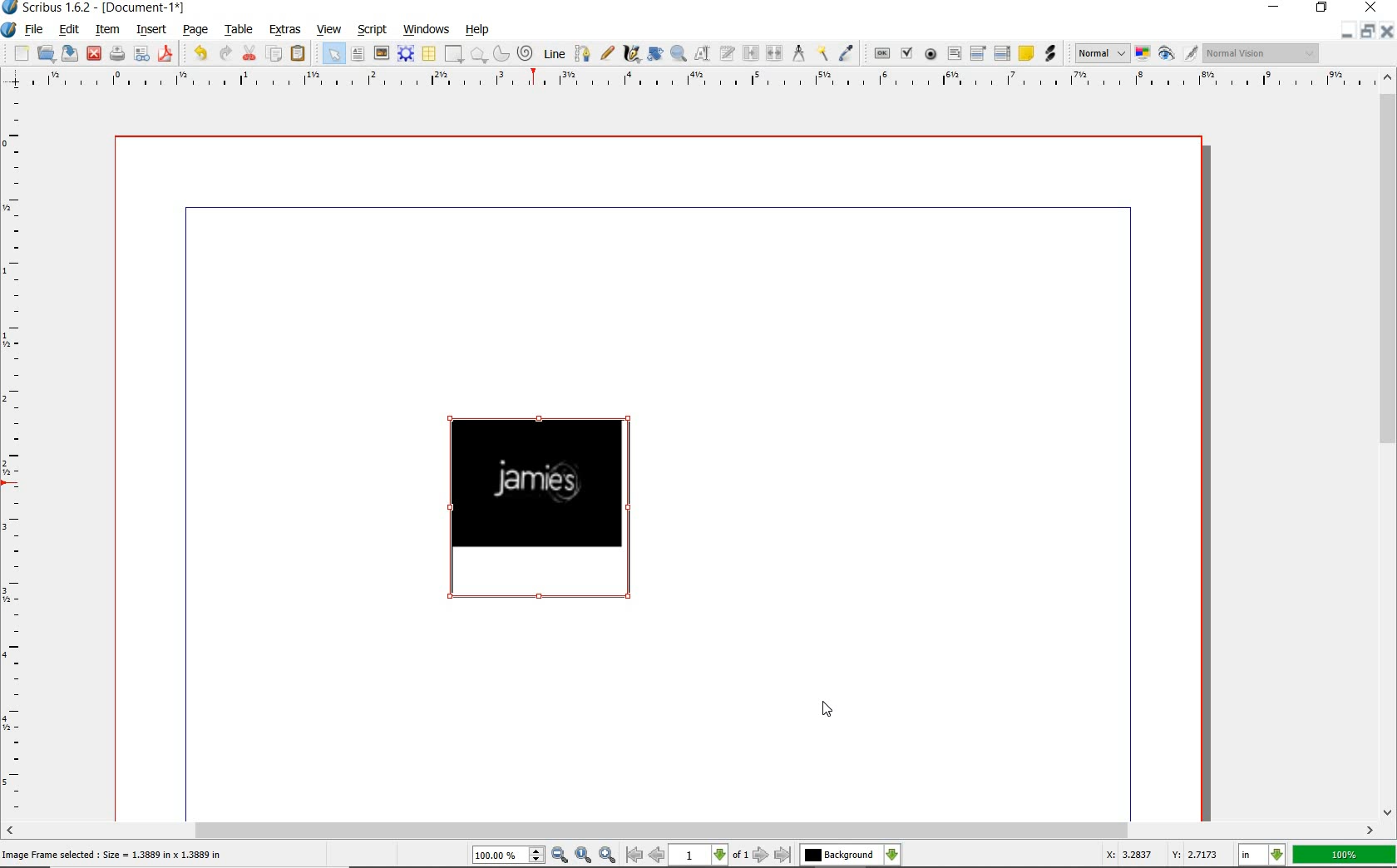 Image resolution: width=1397 pixels, height=868 pixels. I want to click on pdf text field, so click(954, 54).